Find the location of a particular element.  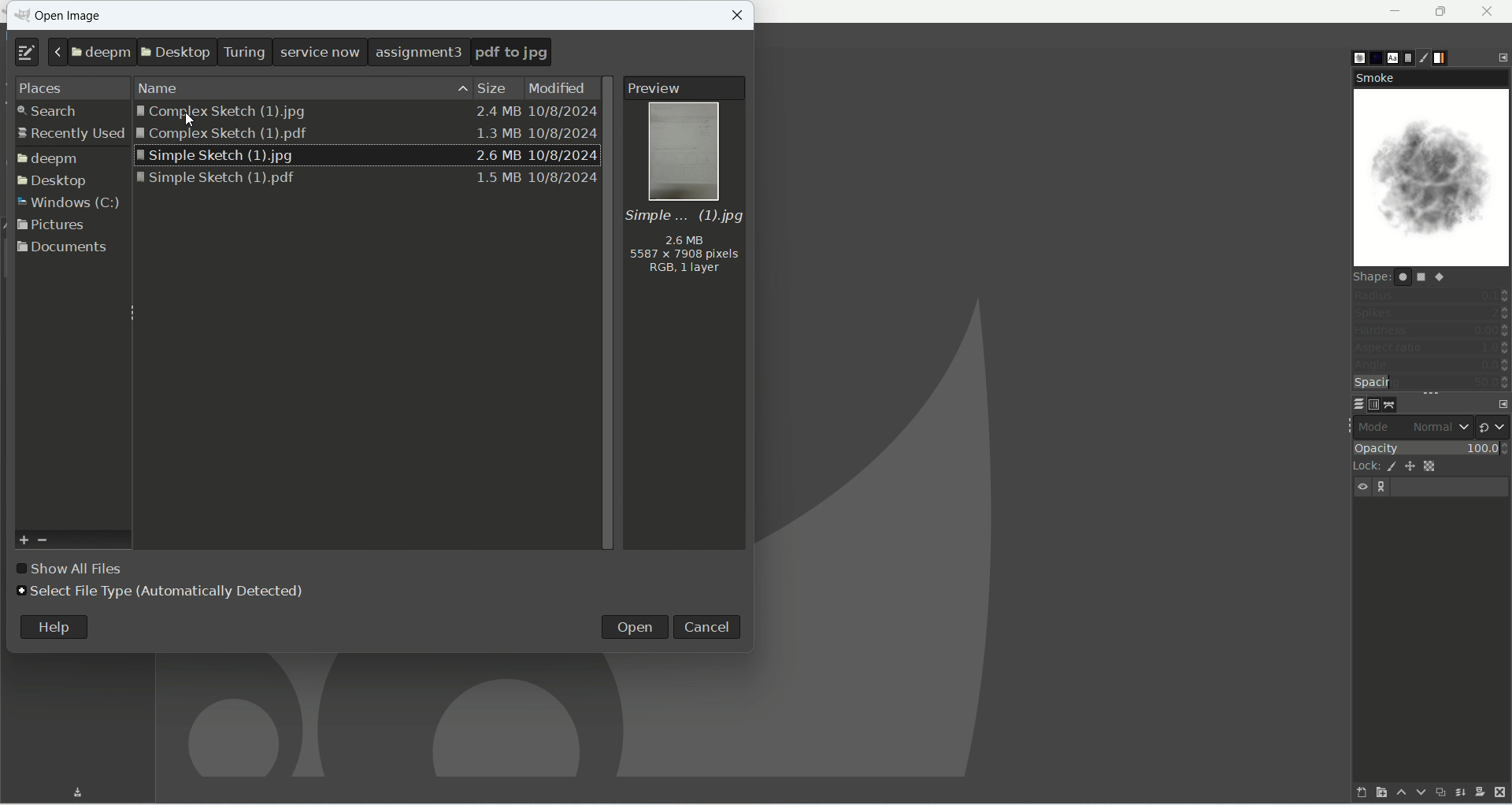

configure this tab is located at coordinates (1502, 403).